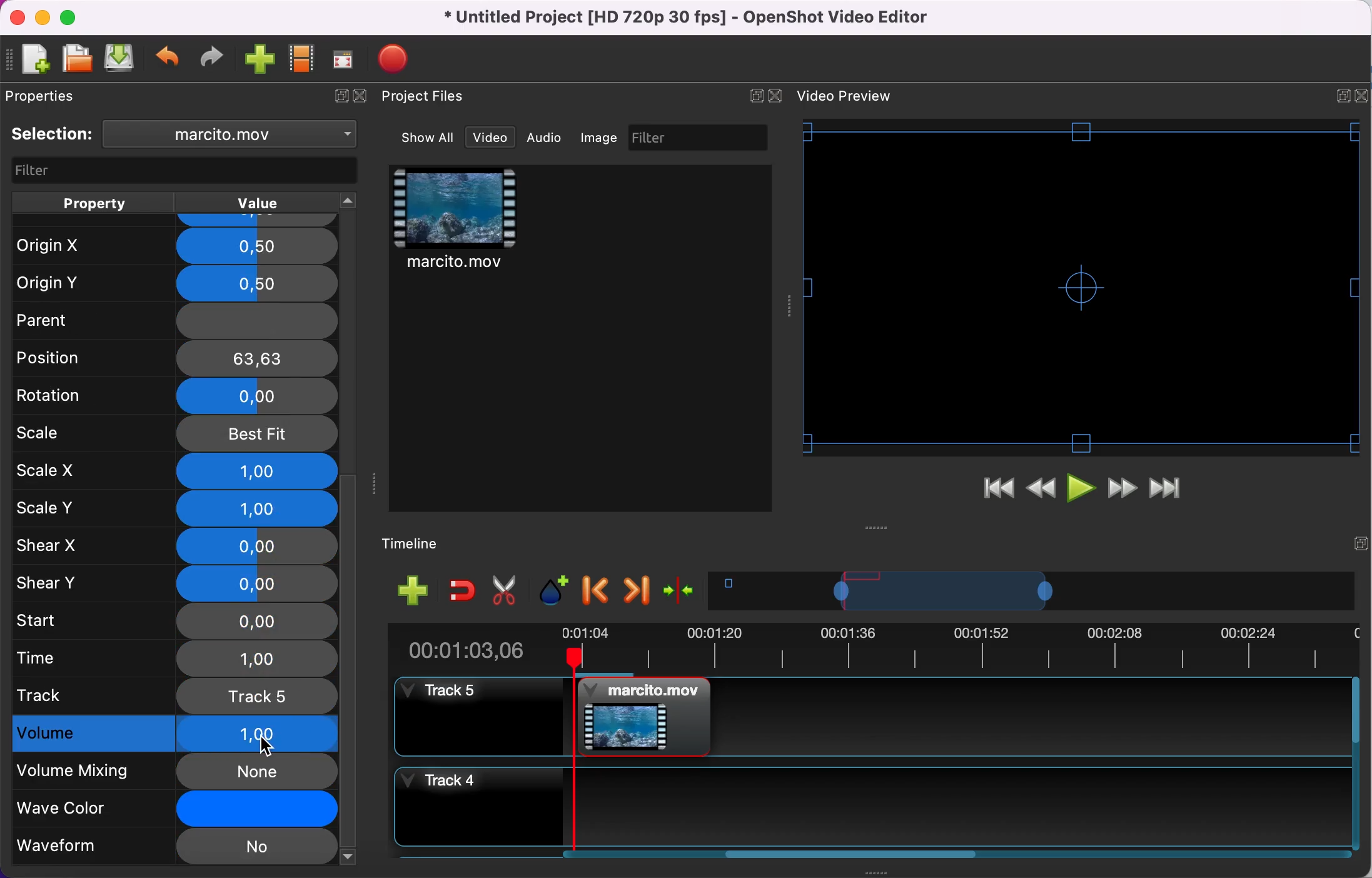 The width and height of the screenshot is (1372, 878). I want to click on rewind, so click(1042, 492).